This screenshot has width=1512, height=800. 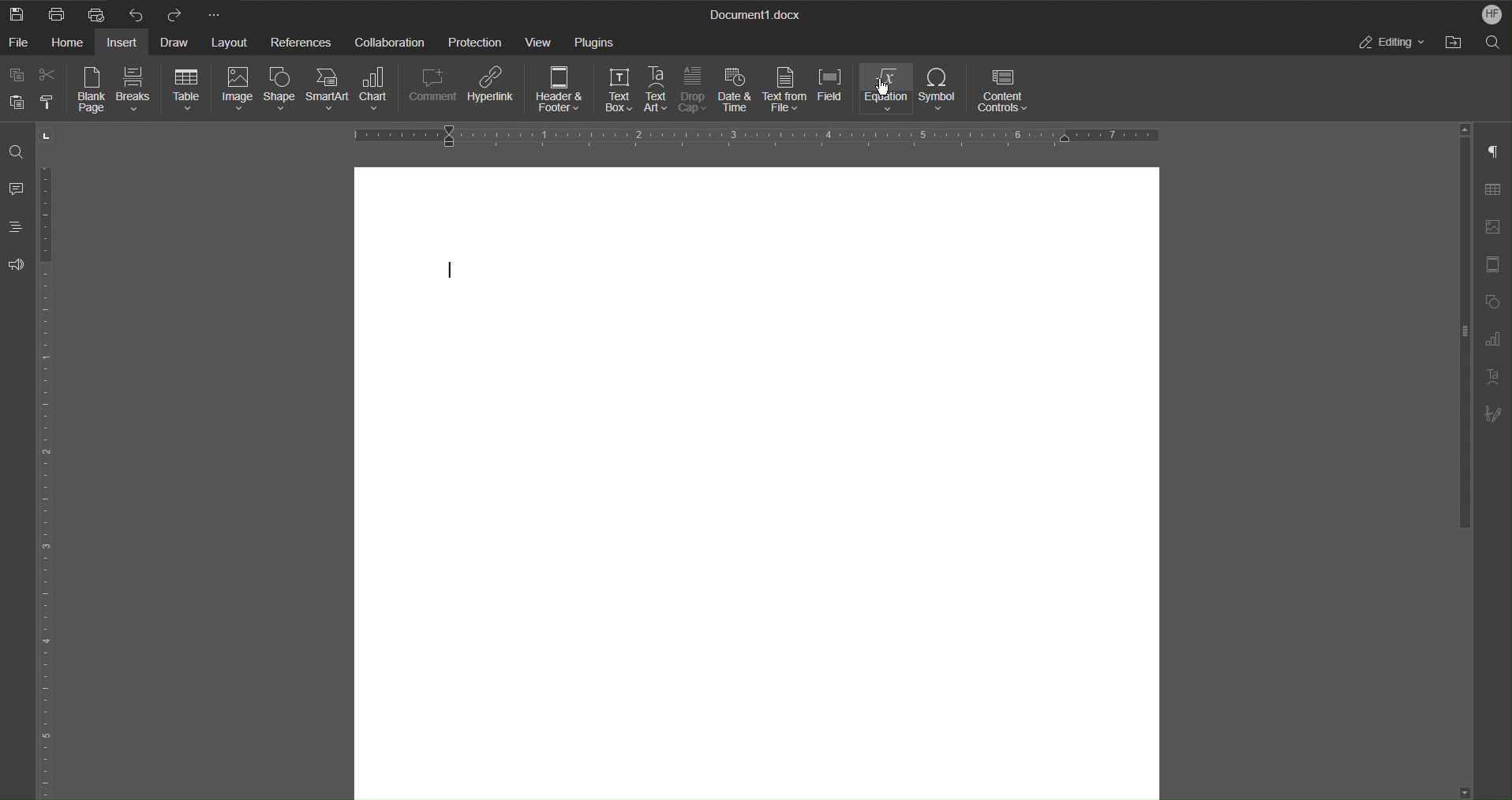 I want to click on Shape, so click(x=279, y=91).